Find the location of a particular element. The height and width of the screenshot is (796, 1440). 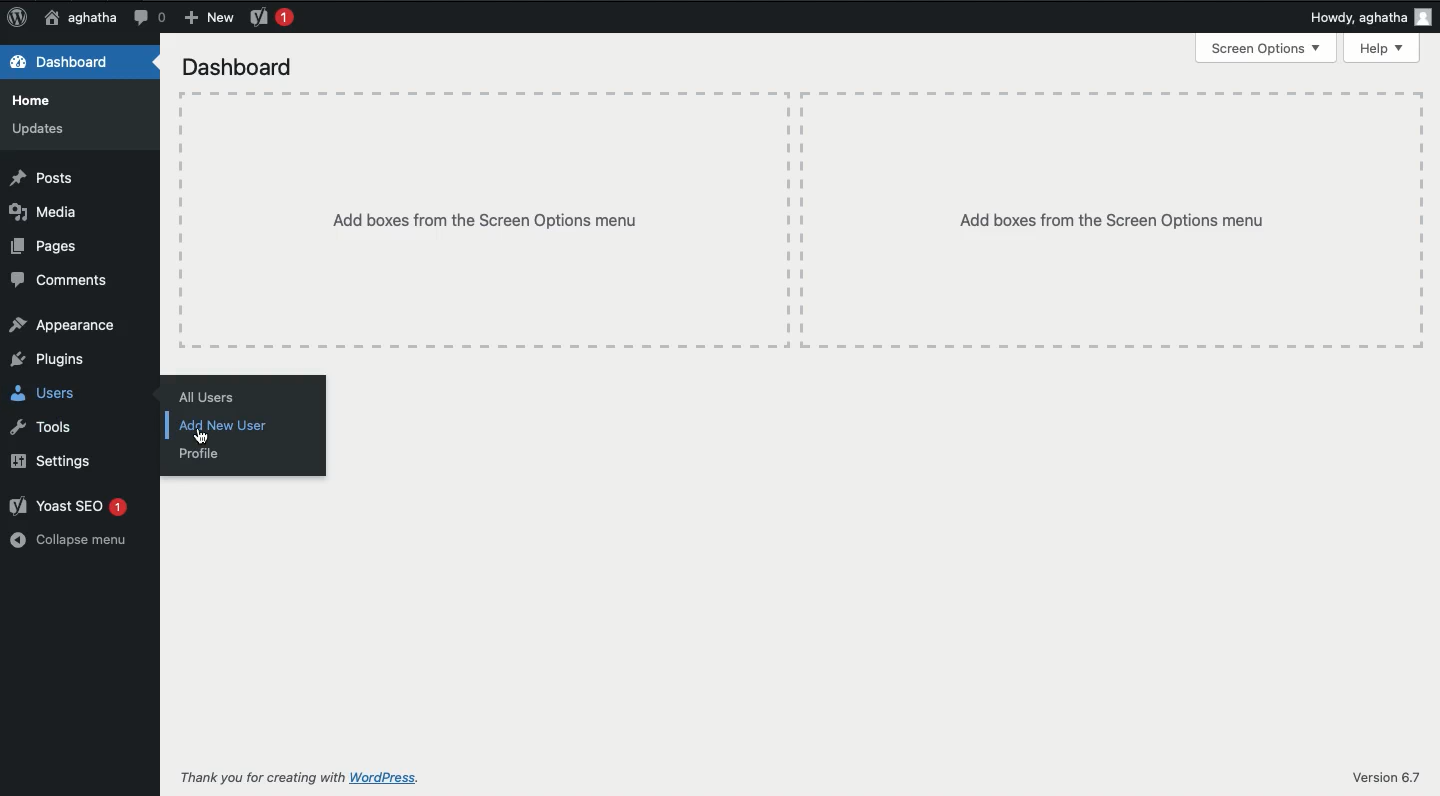

Home is located at coordinates (34, 101).